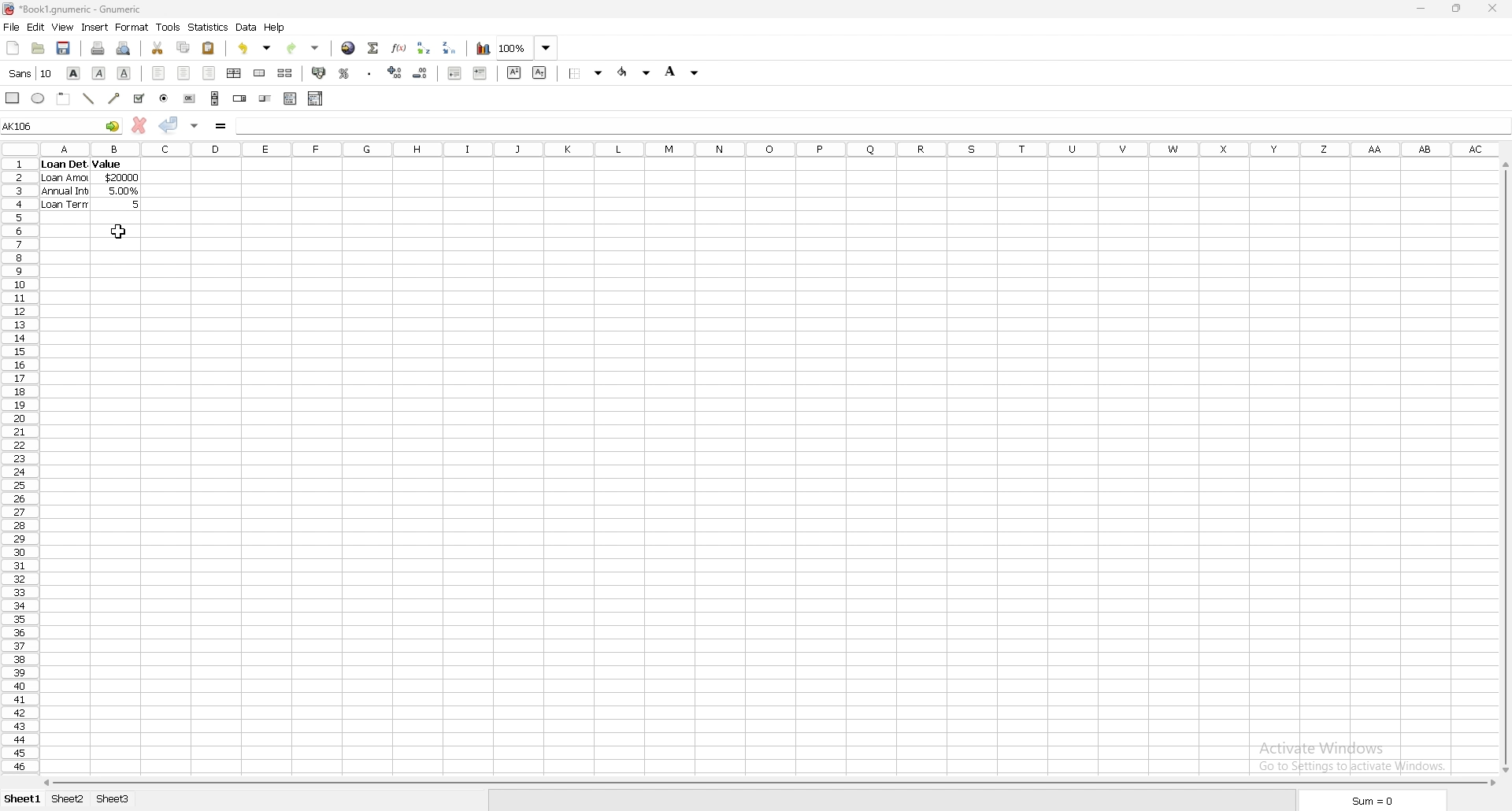 Image resolution: width=1512 pixels, height=811 pixels. I want to click on column, so click(773, 148).